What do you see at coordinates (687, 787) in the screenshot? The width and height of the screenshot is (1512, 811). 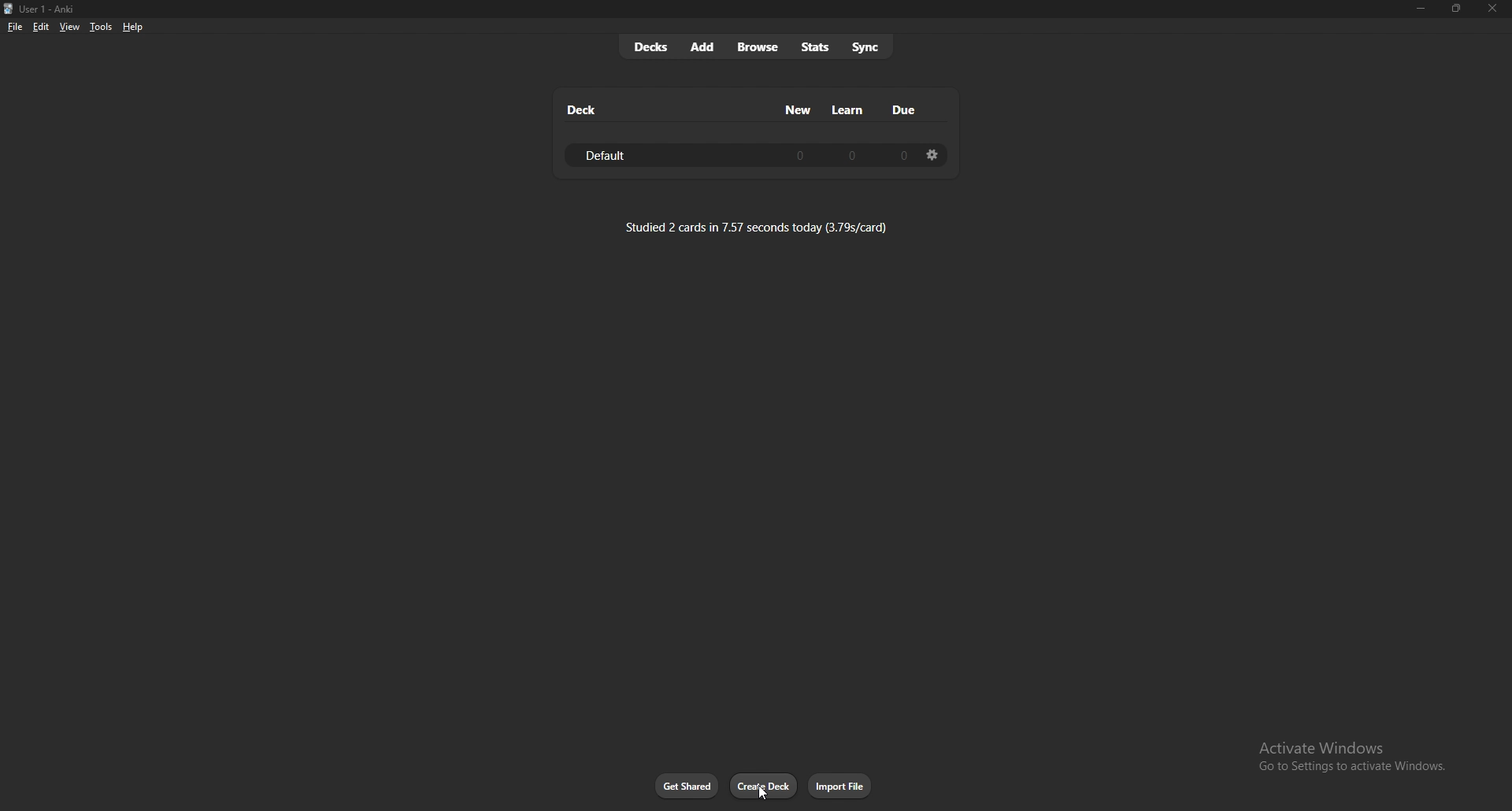 I see `get shared` at bounding box center [687, 787].